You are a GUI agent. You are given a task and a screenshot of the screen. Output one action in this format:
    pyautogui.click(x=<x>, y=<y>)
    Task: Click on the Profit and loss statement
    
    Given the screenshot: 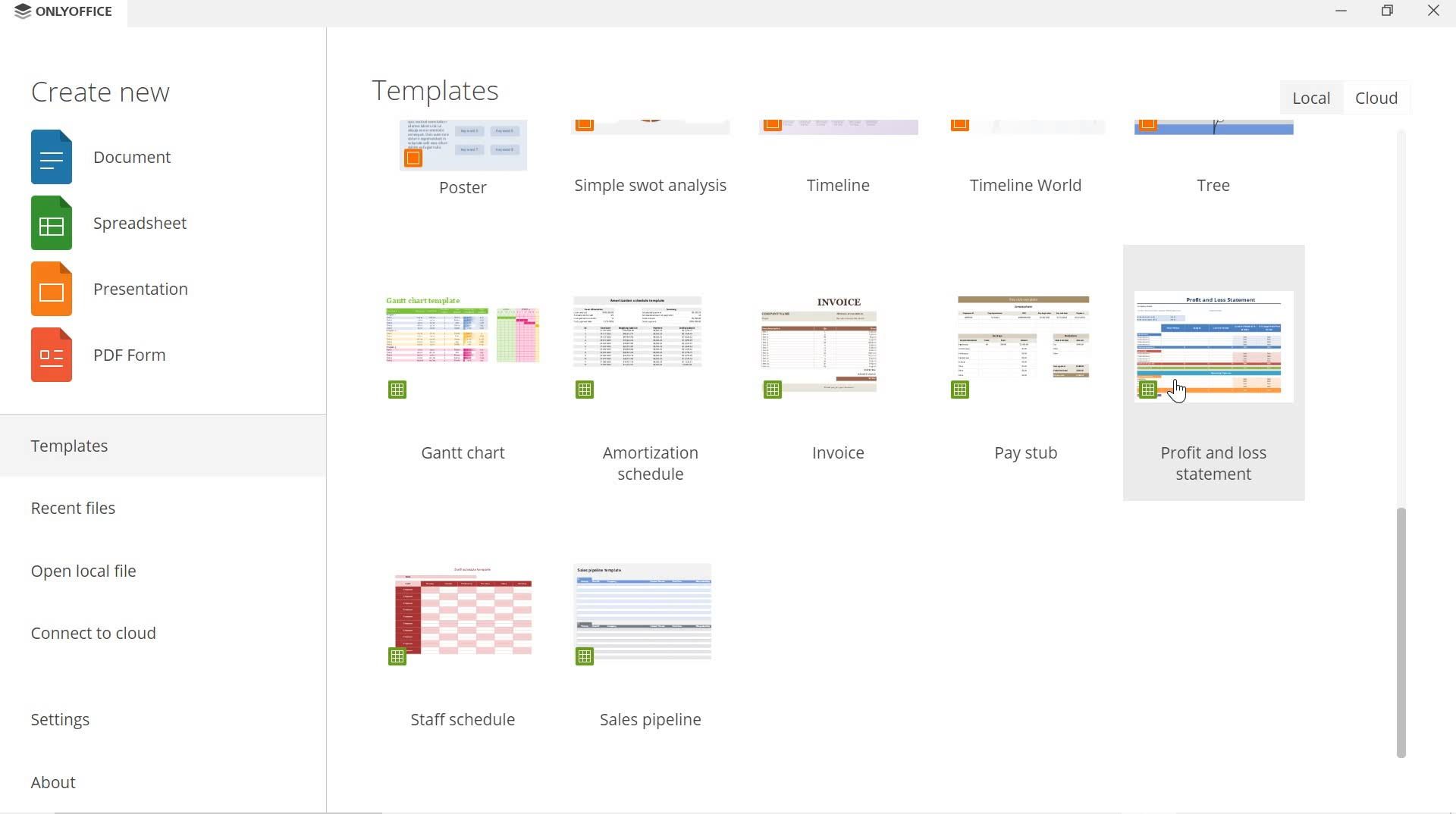 What is the action you would take?
    pyautogui.click(x=1216, y=465)
    